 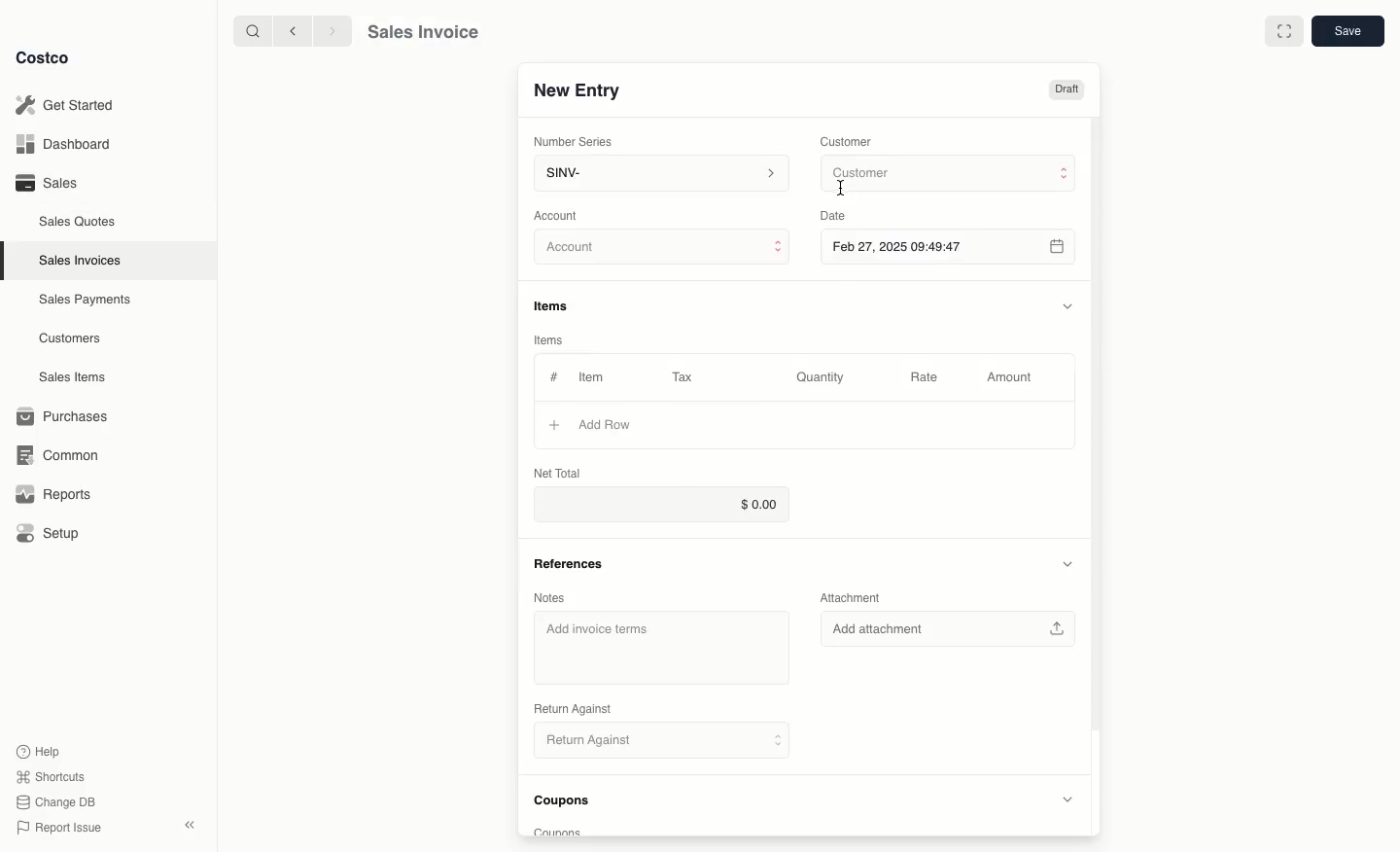 I want to click on Account, so click(x=662, y=248).